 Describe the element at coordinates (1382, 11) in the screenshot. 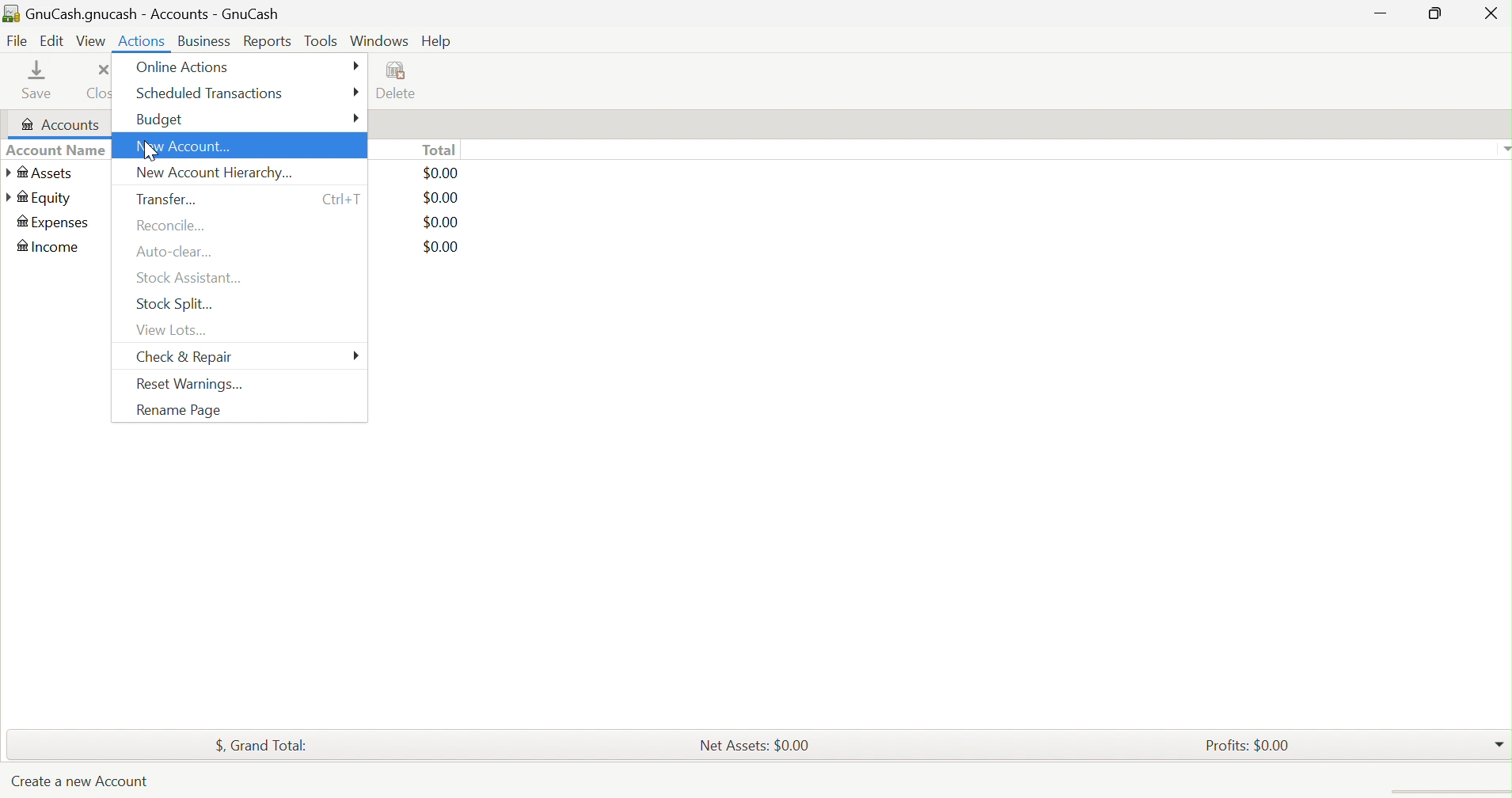

I see `Minimize` at that location.